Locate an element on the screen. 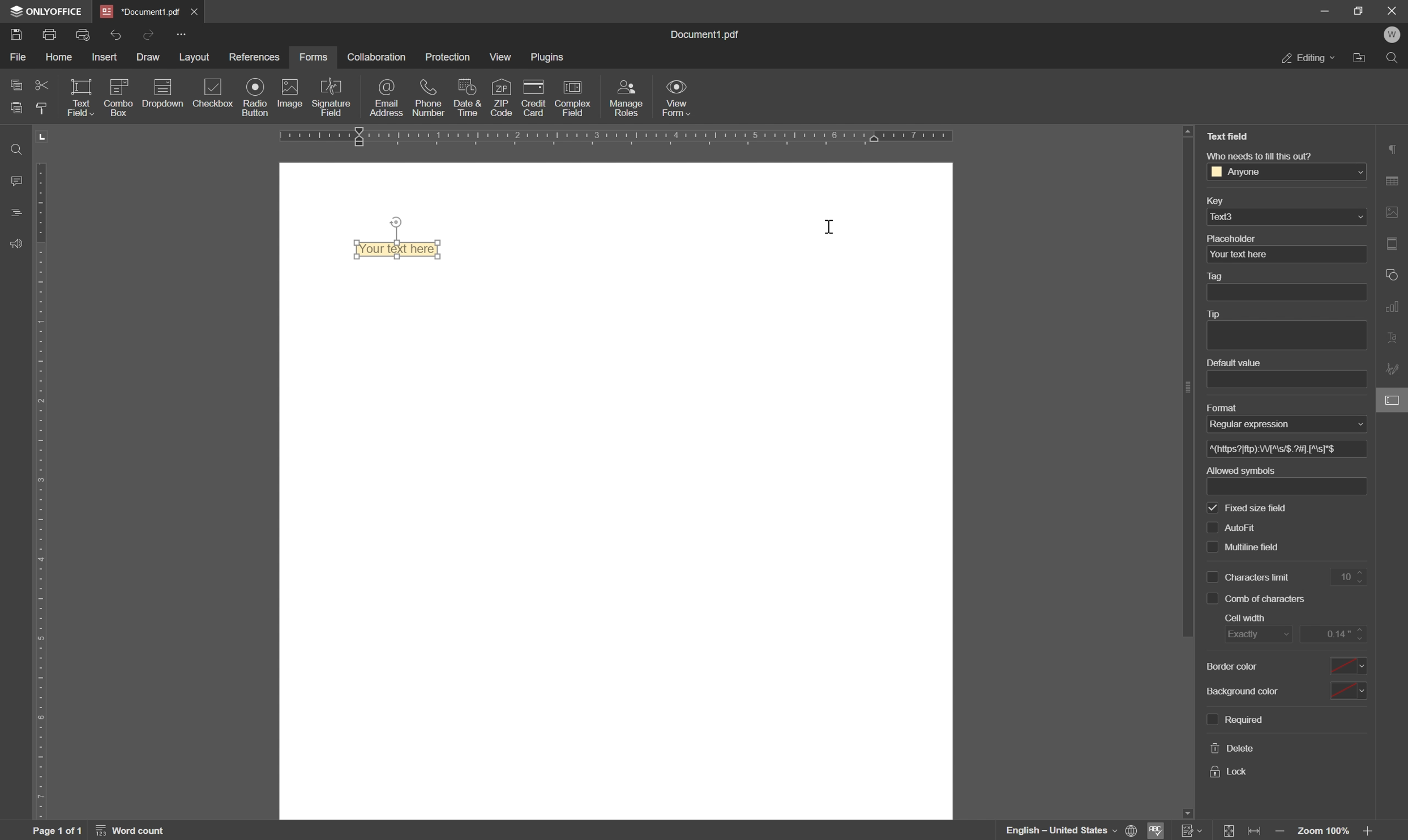 Image resolution: width=1408 pixels, height=840 pixels. protection is located at coordinates (449, 55).